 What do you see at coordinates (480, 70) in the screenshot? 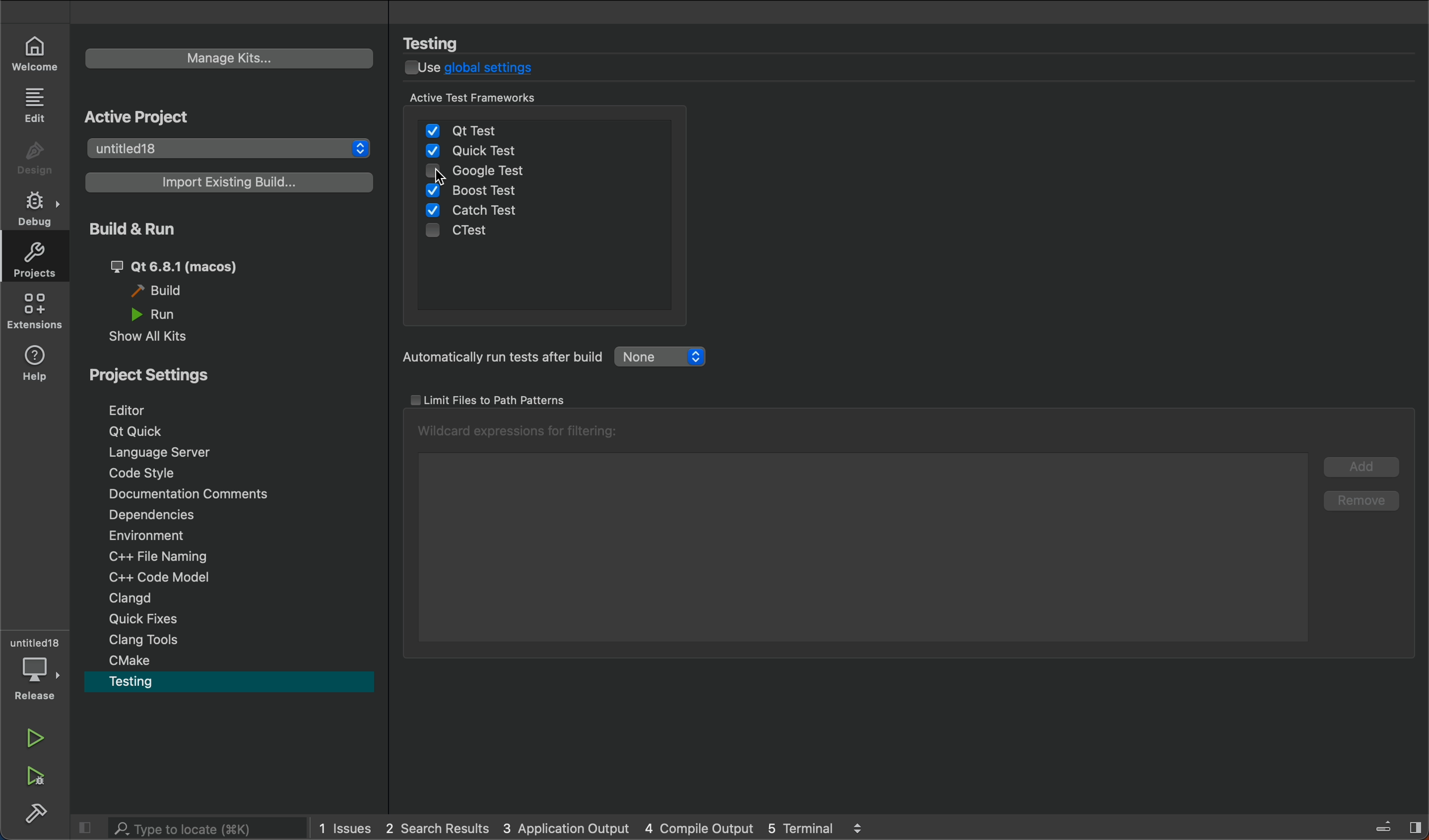
I see `disable global settings` at bounding box center [480, 70].